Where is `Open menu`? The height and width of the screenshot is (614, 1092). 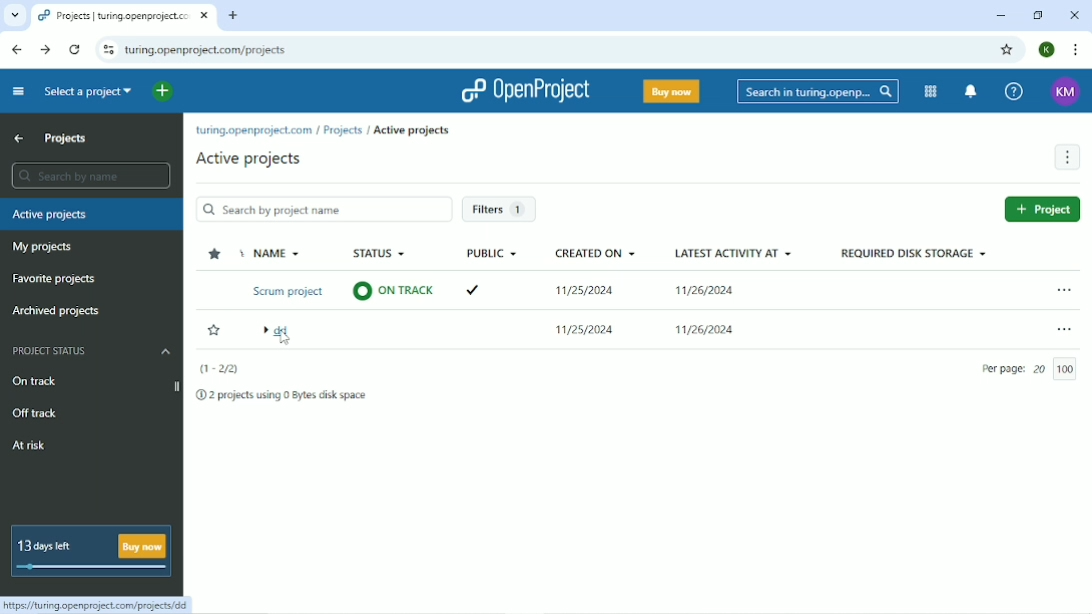
Open menu is located at coordinates (1065, 329).